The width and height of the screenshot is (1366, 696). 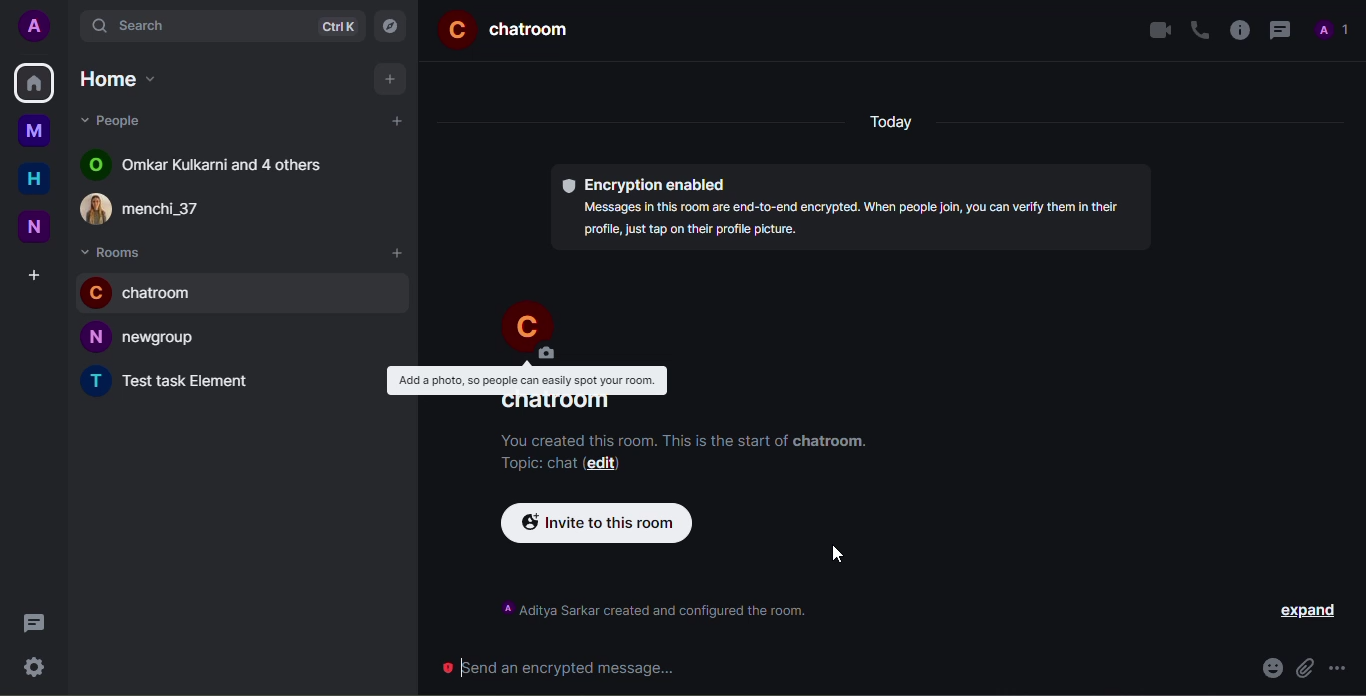 What do you see at coordinates (34, 180) in the screenshot?
I see `home` at bounding box center [34, 180].